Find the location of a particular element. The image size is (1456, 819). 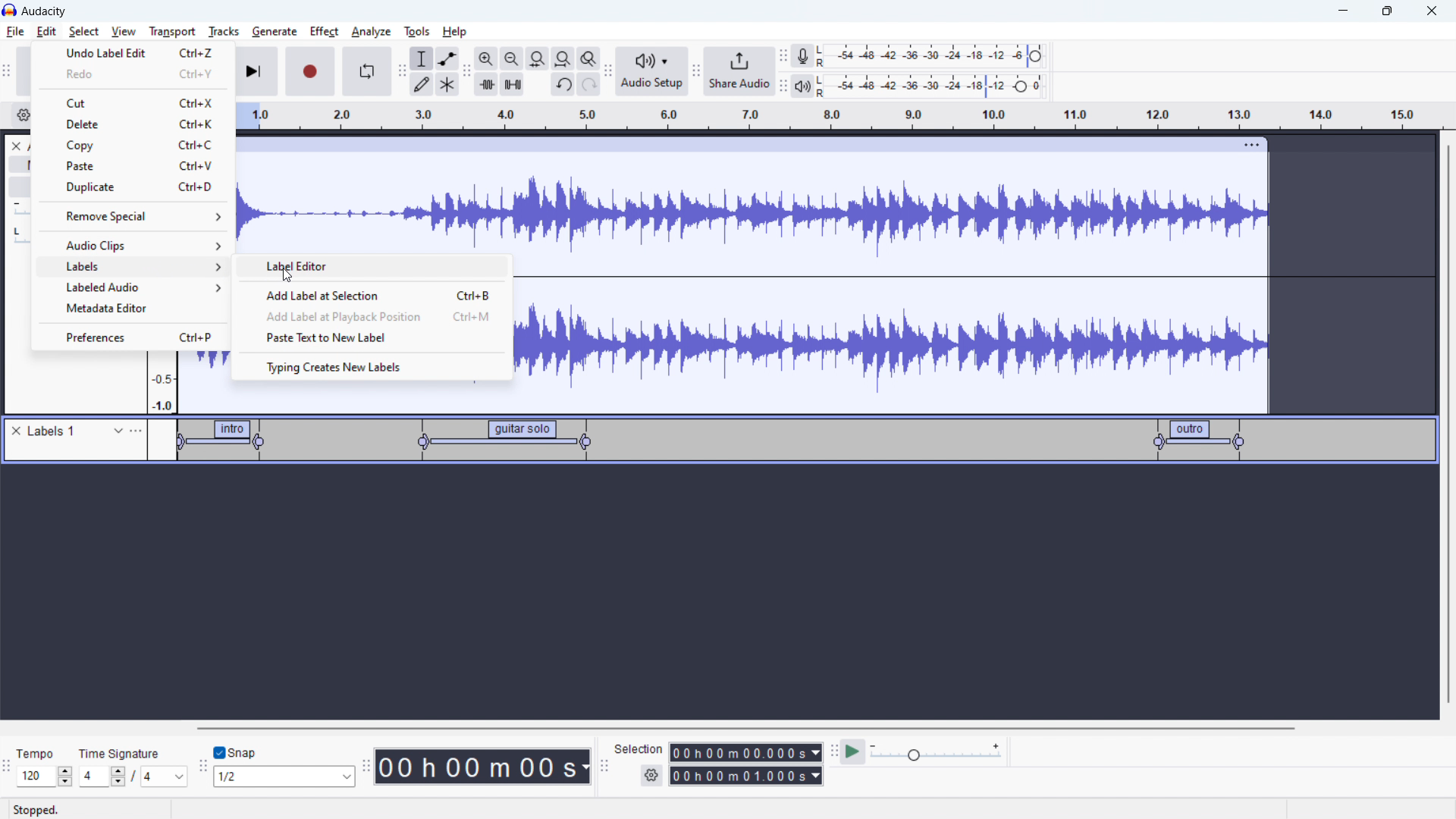

tools toolbar is located at coordinates (402, 71).